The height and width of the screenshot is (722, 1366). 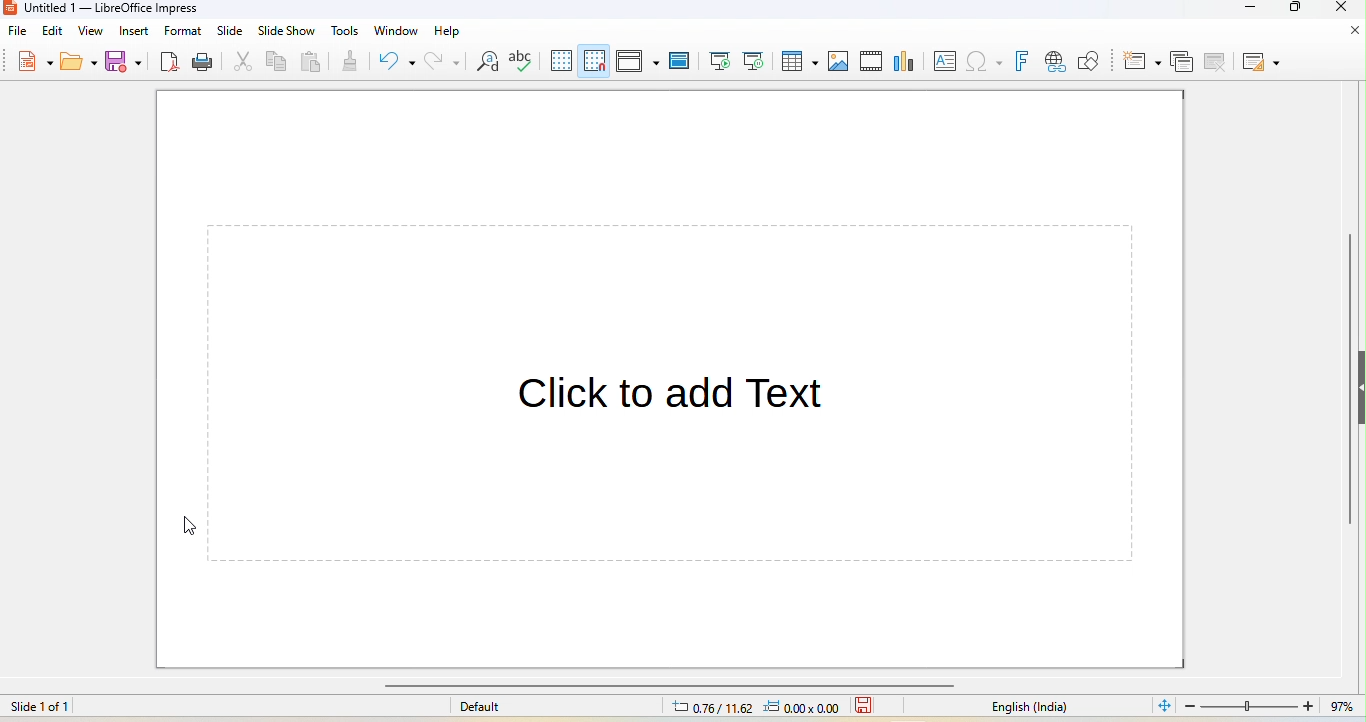 What do you see at coordinates (756, 60) in the screenshot?
I see `start from current` at bounding box center [756, 60].